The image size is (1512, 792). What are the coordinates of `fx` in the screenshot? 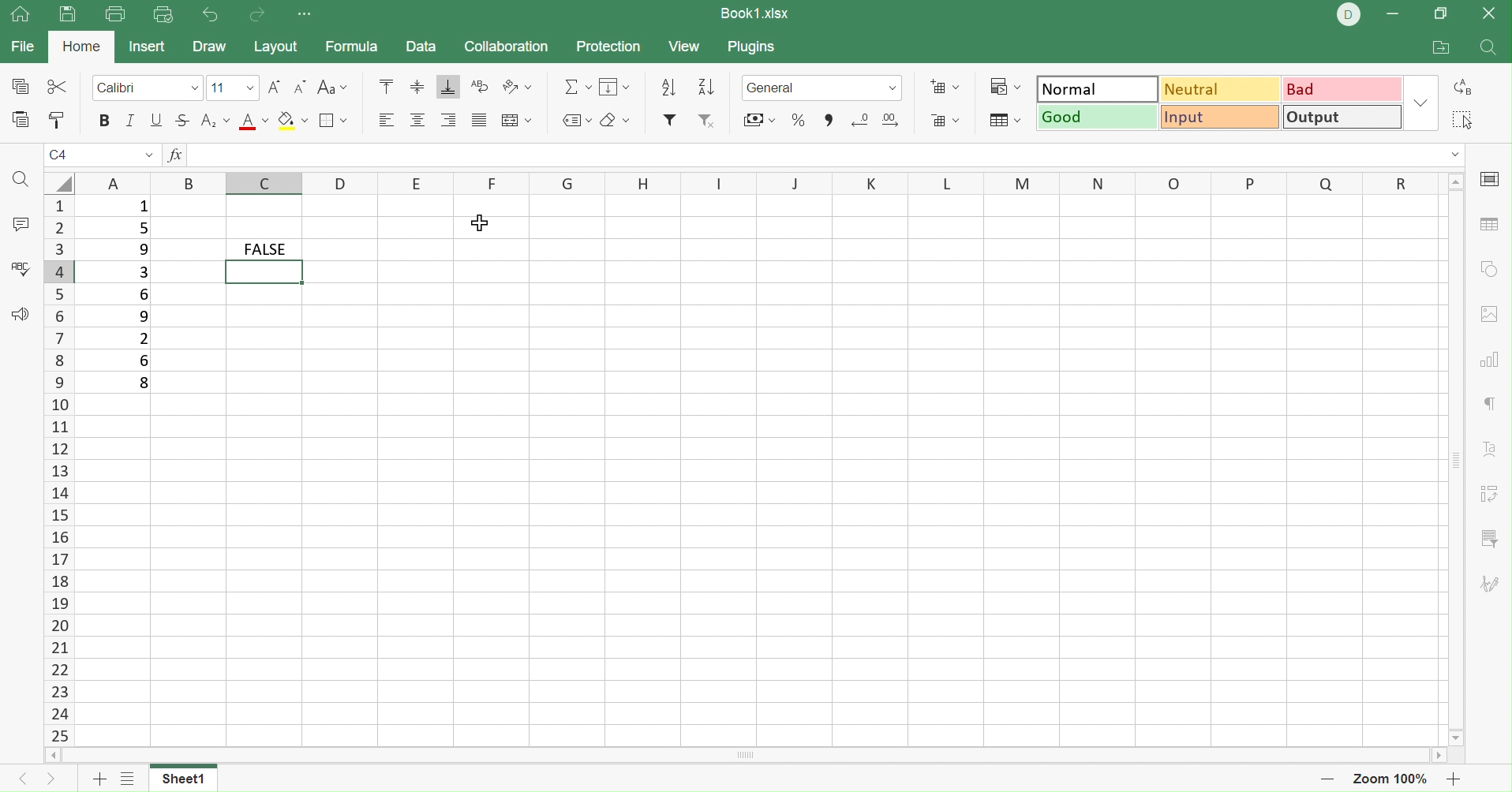 It's located at (173, 155).